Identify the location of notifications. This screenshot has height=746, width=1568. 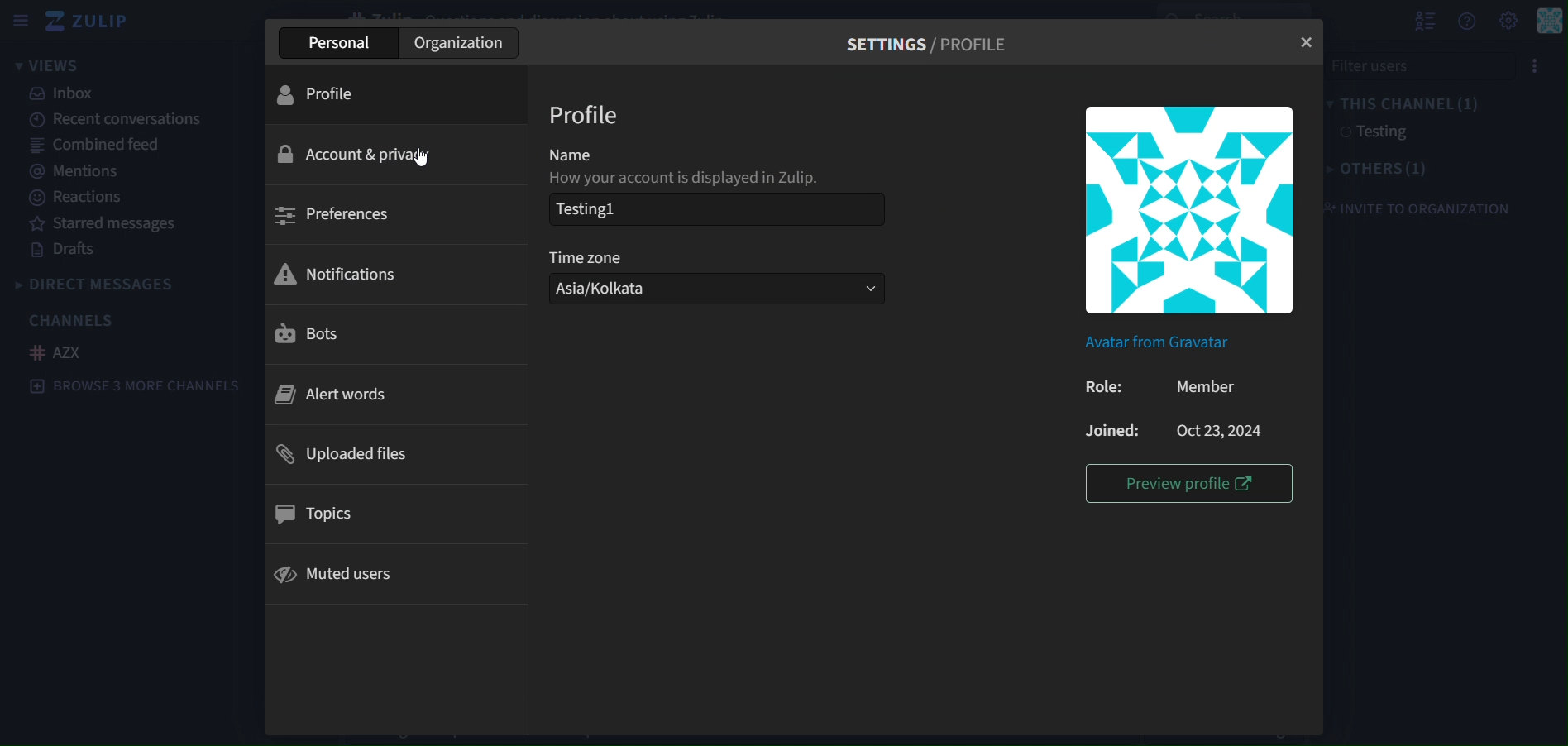
(351, 274).